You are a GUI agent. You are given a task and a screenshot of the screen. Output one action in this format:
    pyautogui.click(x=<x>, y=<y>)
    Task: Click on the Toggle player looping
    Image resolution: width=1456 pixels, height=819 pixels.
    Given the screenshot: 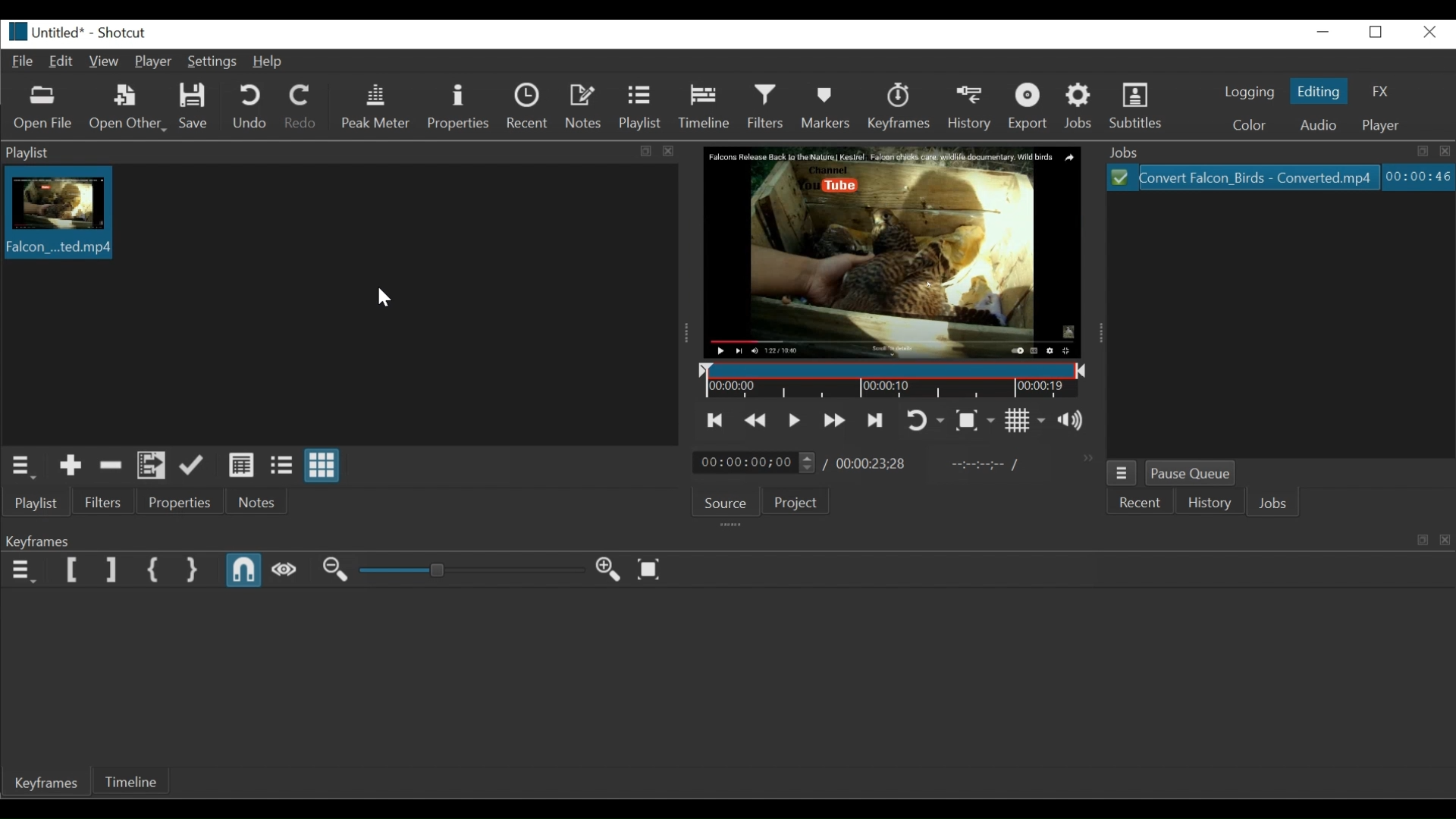 What is the action you would take?
    pyautogui.click(x=924, y=419)
    